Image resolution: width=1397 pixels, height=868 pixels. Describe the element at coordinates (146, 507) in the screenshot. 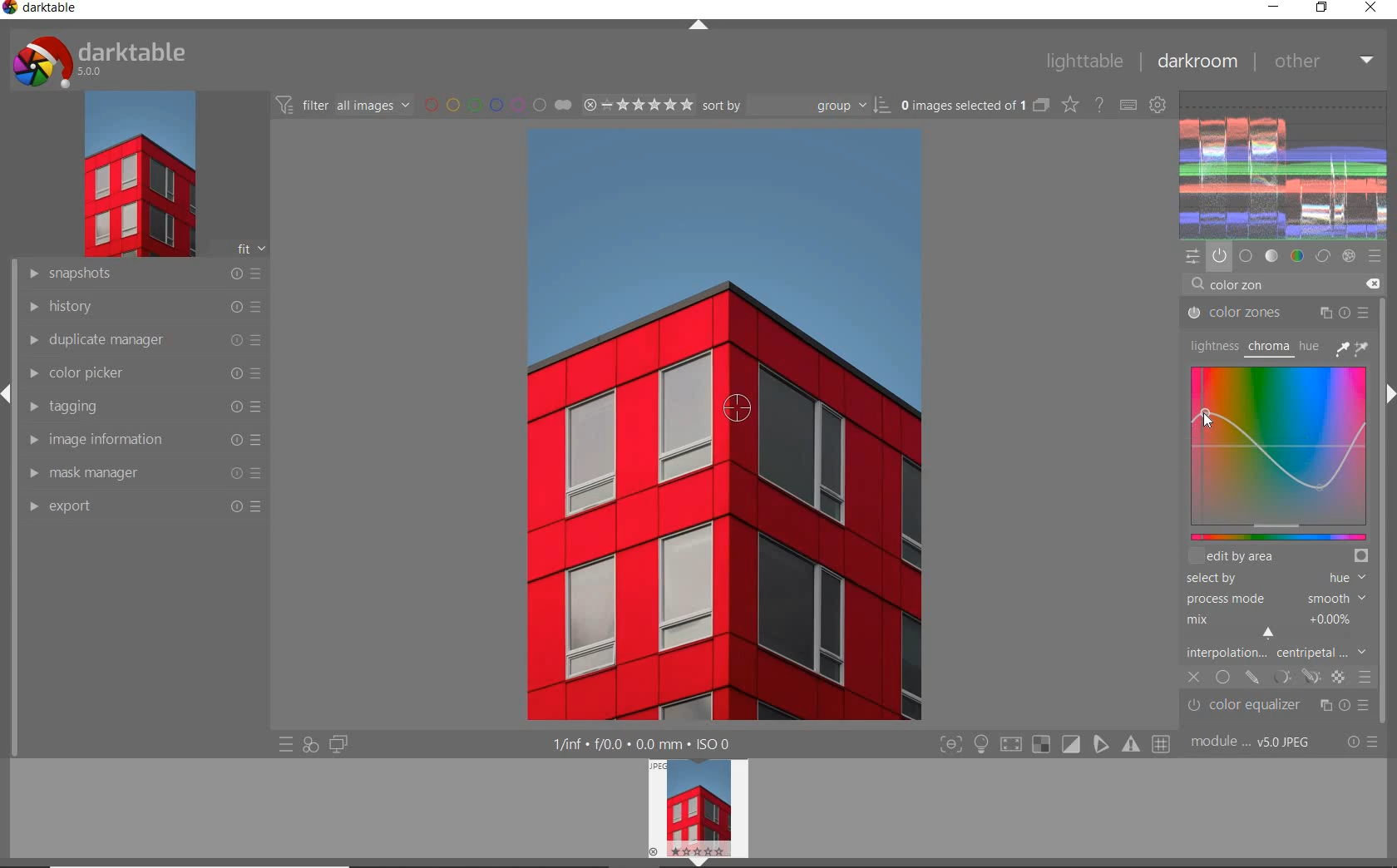

I see `export` at that location.